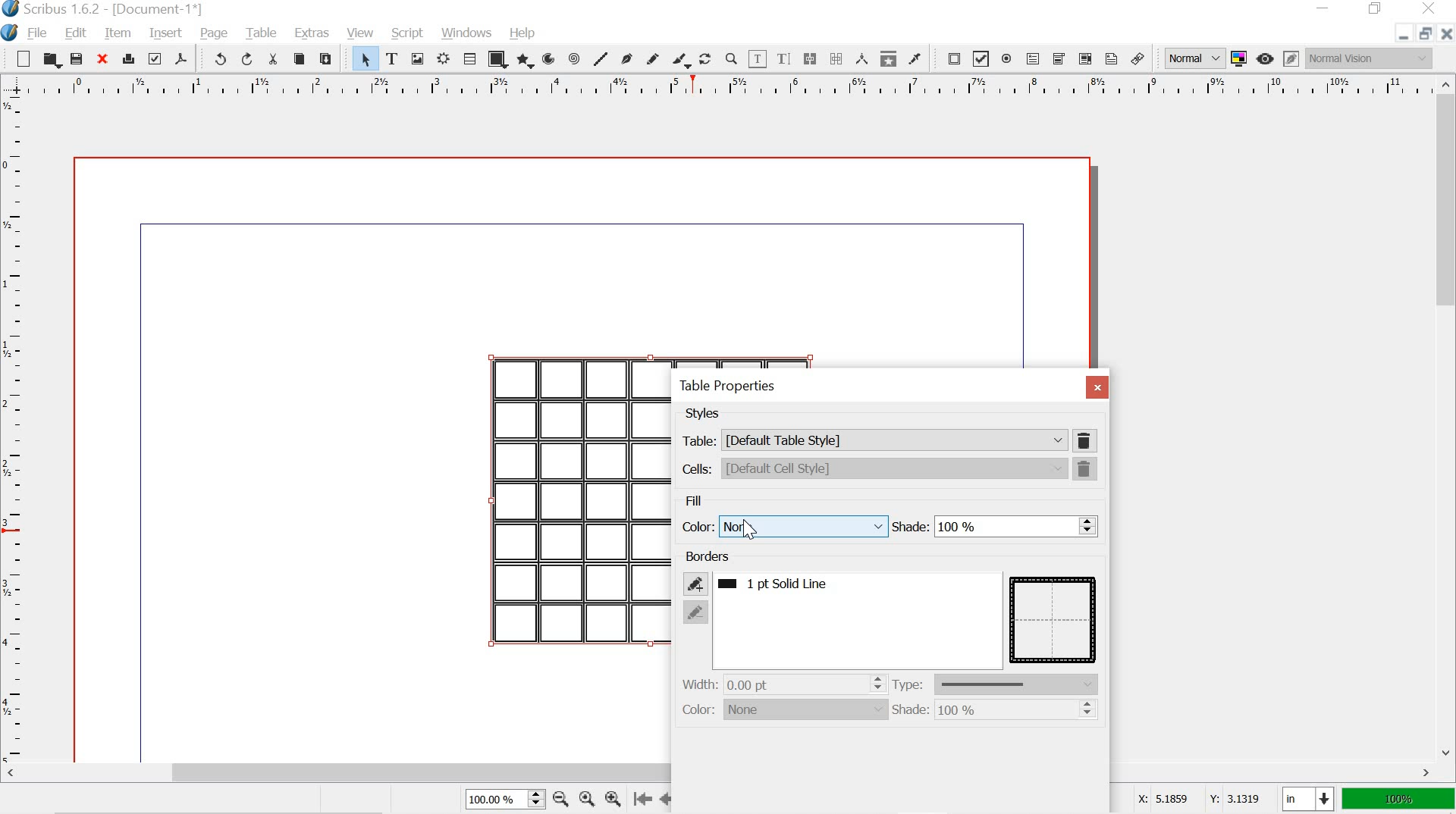  Describe the element at coordinates (1238, 57) in the screenshot. I see `toggle color management system` at that location.